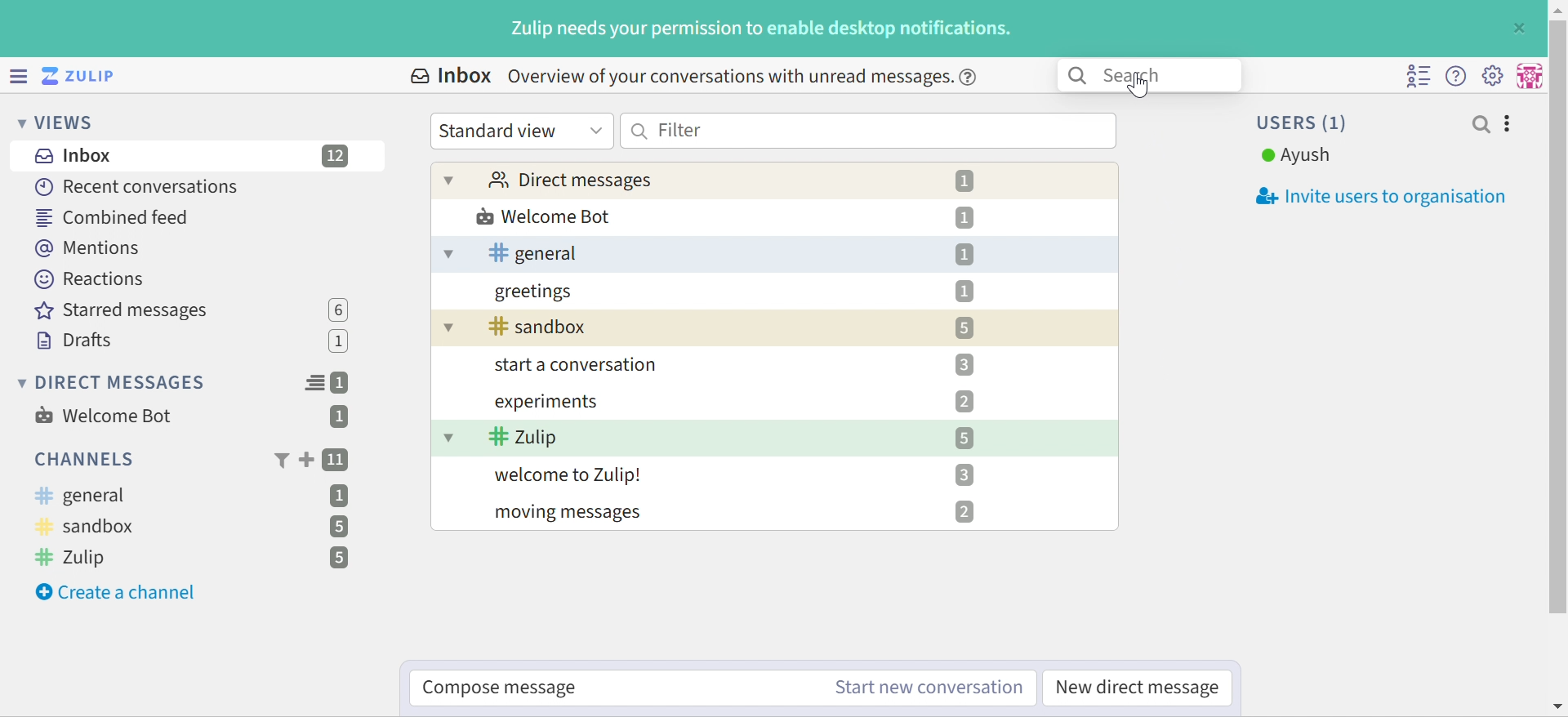 This screenshot has width=1568, height=717. What do you see at coordinates (92, 528) in the screenshot?
I see `sandbox` at bounding box center [92, 528].